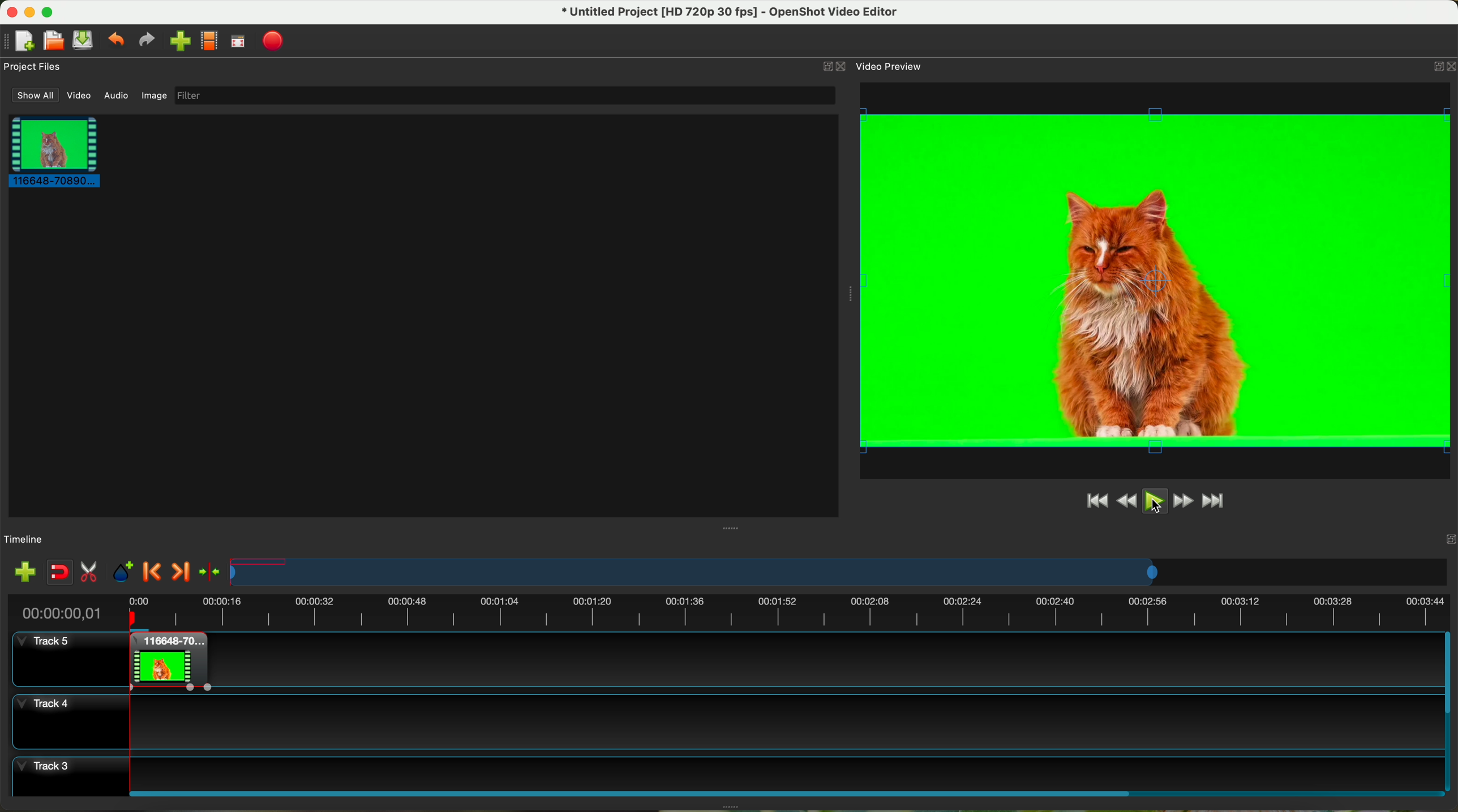  What do you see at coordinates (784, 792) in the screenshot?
I see `scroll bar` at bounding box center [784, 792].